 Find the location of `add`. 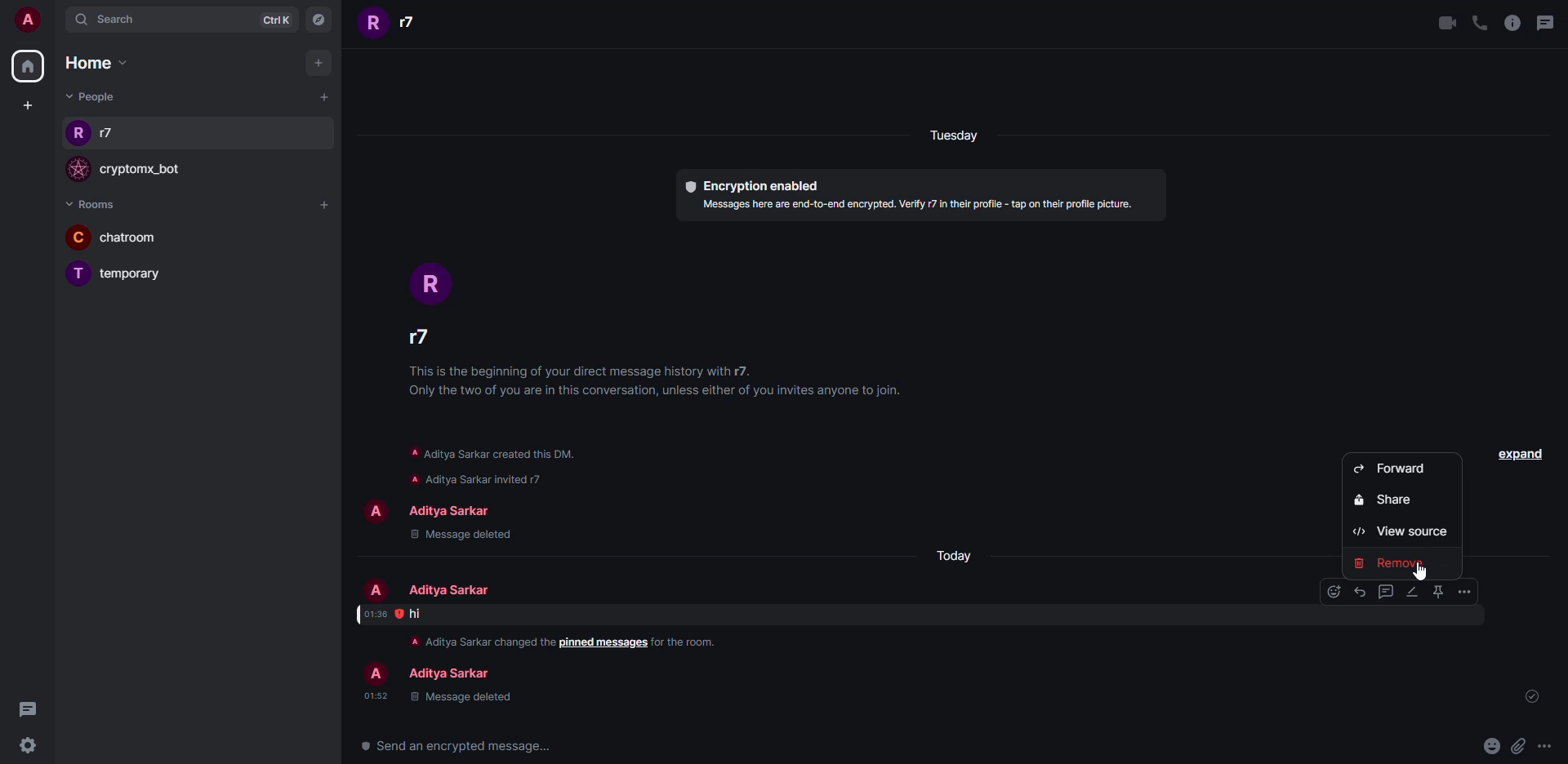

add is located at coordinates (323, 95).